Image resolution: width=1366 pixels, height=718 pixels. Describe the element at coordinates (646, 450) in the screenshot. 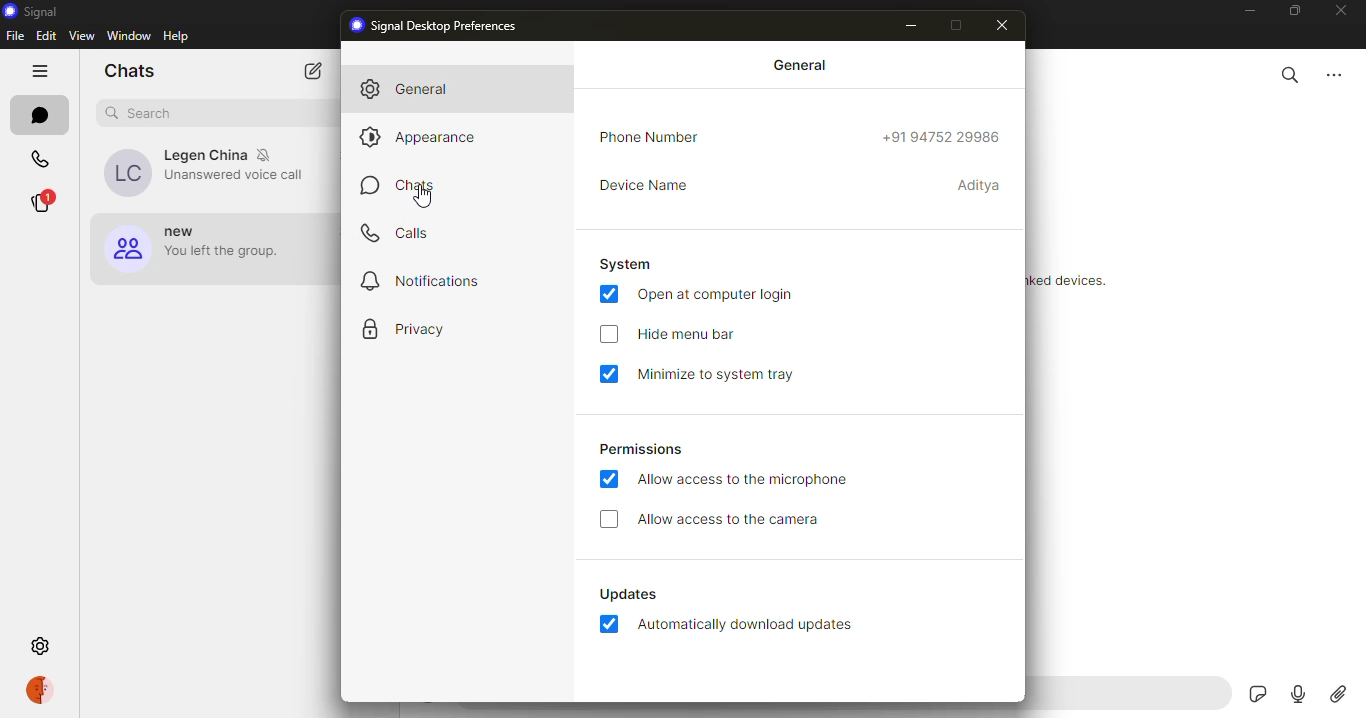

I see `permissions` at that location.